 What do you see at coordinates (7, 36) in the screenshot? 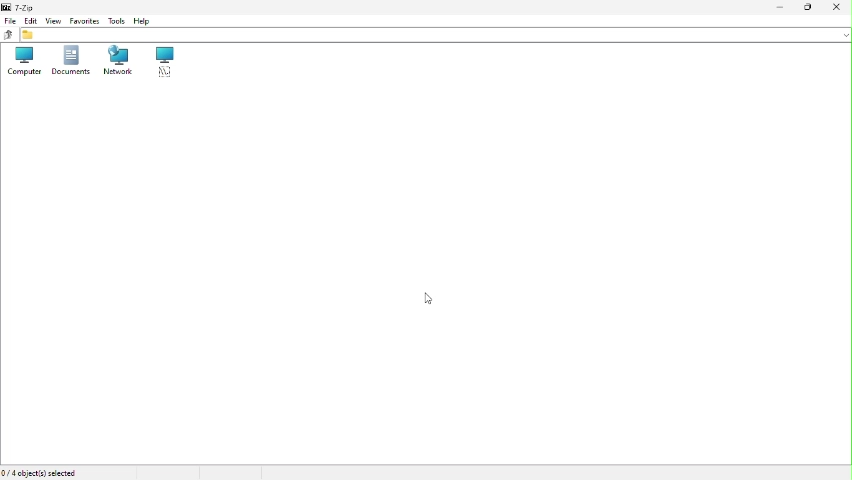
I see `up` at bounding box center [7, 36].